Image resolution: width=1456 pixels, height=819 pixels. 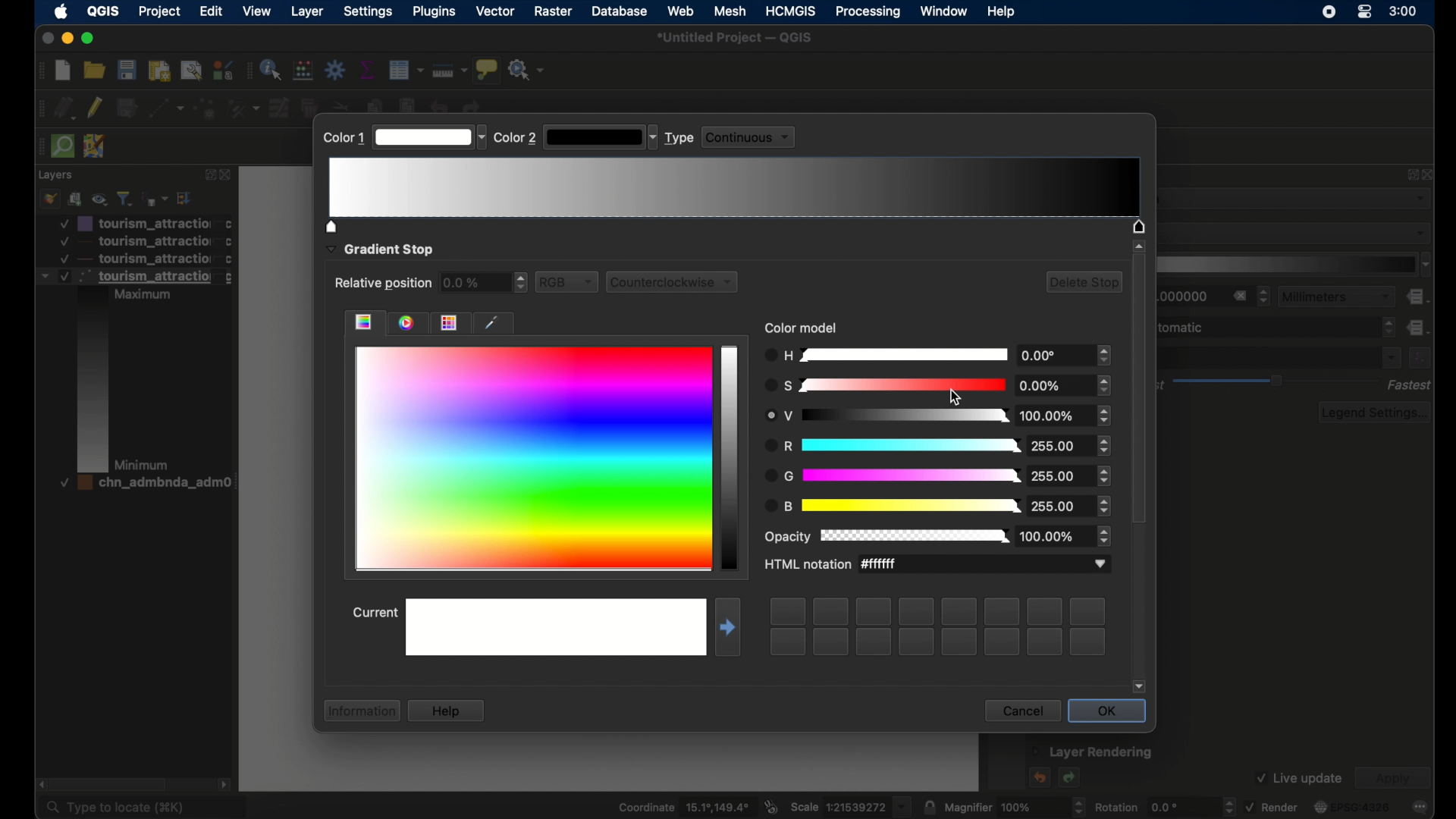 What do you see at coordinates (1419, 327) in the screenshot?
I see `data defined override` at bounding box center [1419, 327].